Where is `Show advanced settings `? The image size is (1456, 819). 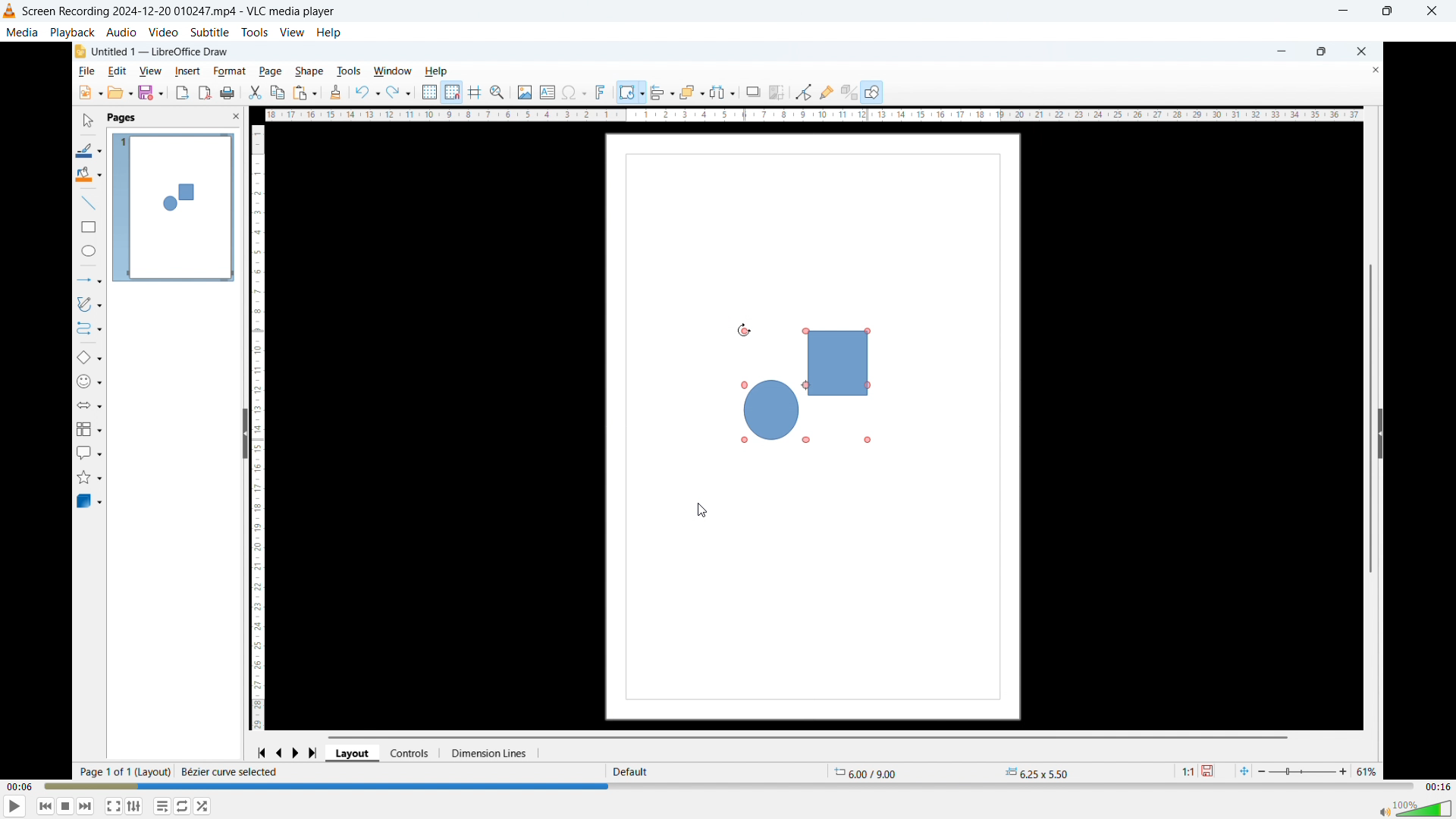 Show advanced settings  is located at coordinates (183, 806).